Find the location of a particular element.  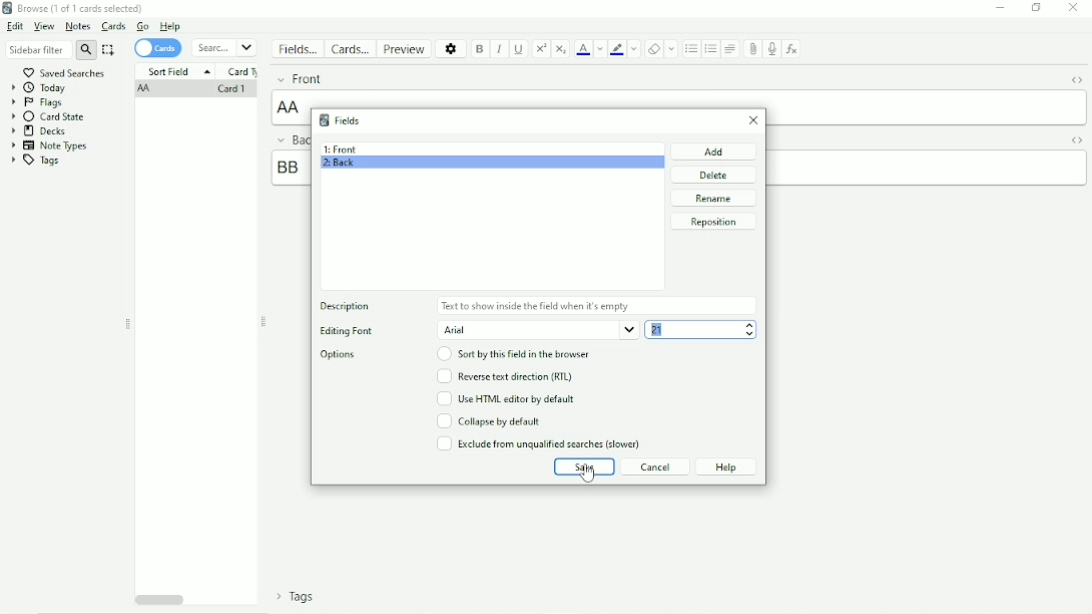

Close is located at coordinates (1073, 8).